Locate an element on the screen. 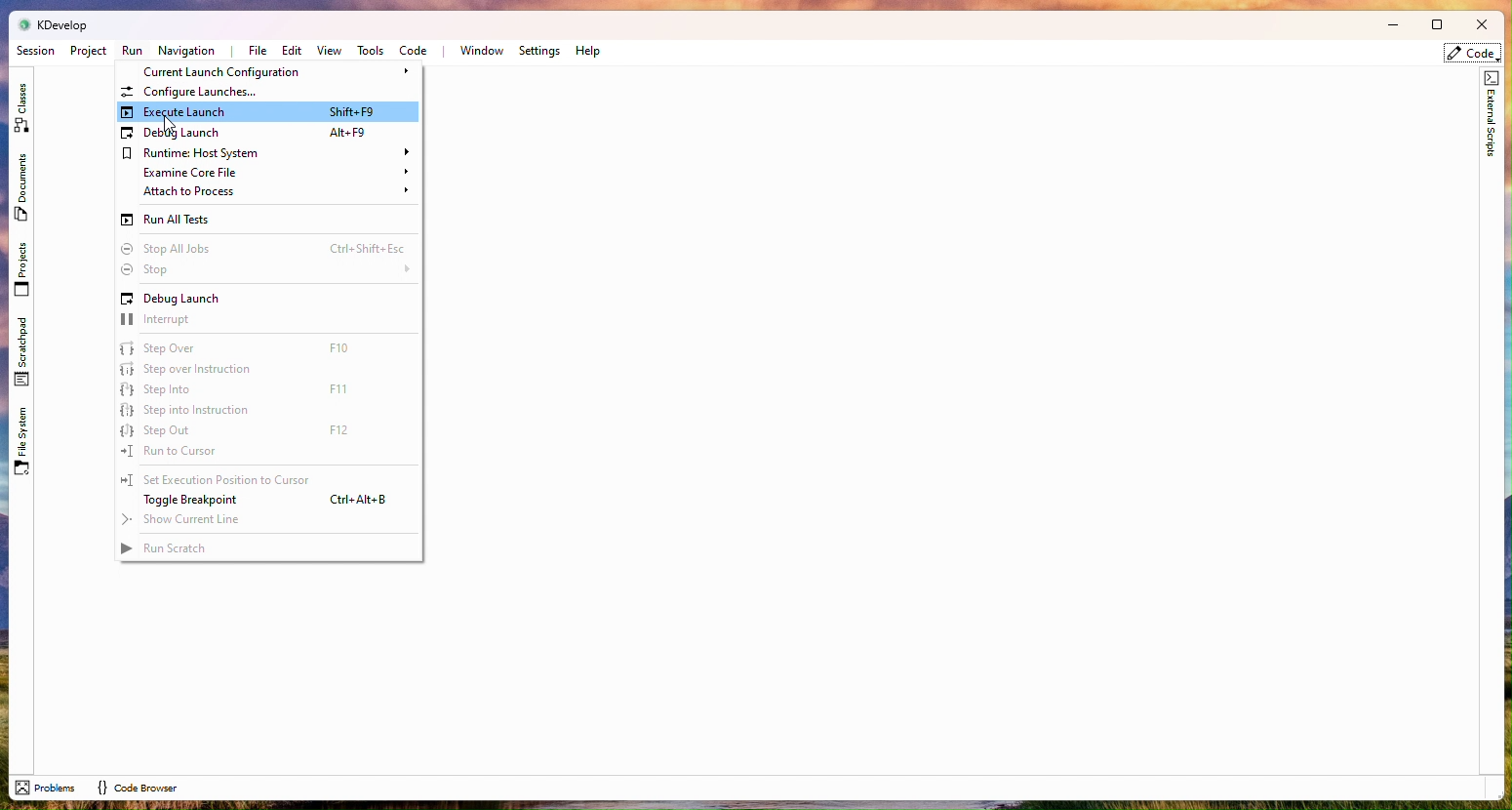 This screenshot has height=810, width=1512. External scripts is located at coordinates (1492, 121).